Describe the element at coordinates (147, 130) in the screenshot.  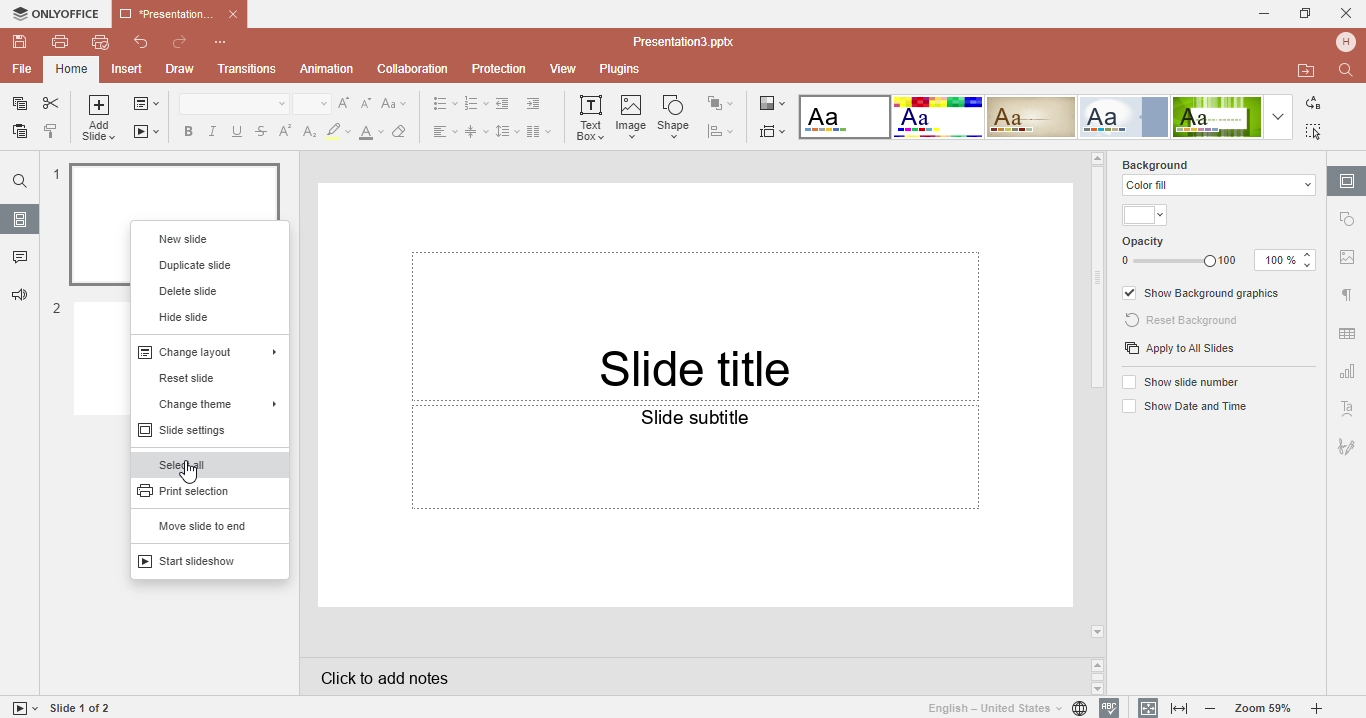
I see `Start slideshow` at that location.